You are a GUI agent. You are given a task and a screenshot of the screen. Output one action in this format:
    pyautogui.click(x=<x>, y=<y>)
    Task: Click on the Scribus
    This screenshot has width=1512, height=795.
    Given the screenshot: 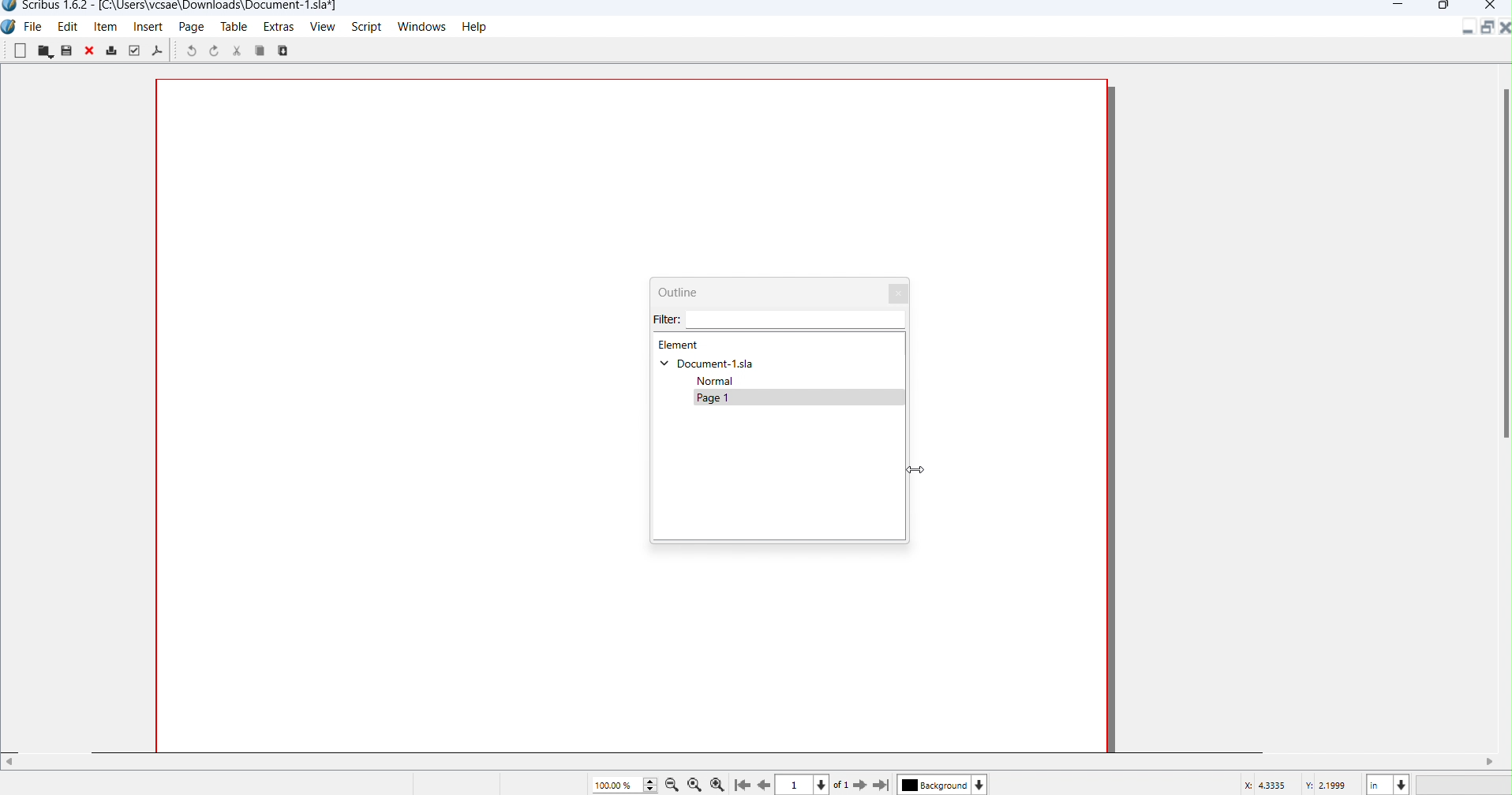 What is the action you would take?
    pyautogui.click(x=9, y=29)
    